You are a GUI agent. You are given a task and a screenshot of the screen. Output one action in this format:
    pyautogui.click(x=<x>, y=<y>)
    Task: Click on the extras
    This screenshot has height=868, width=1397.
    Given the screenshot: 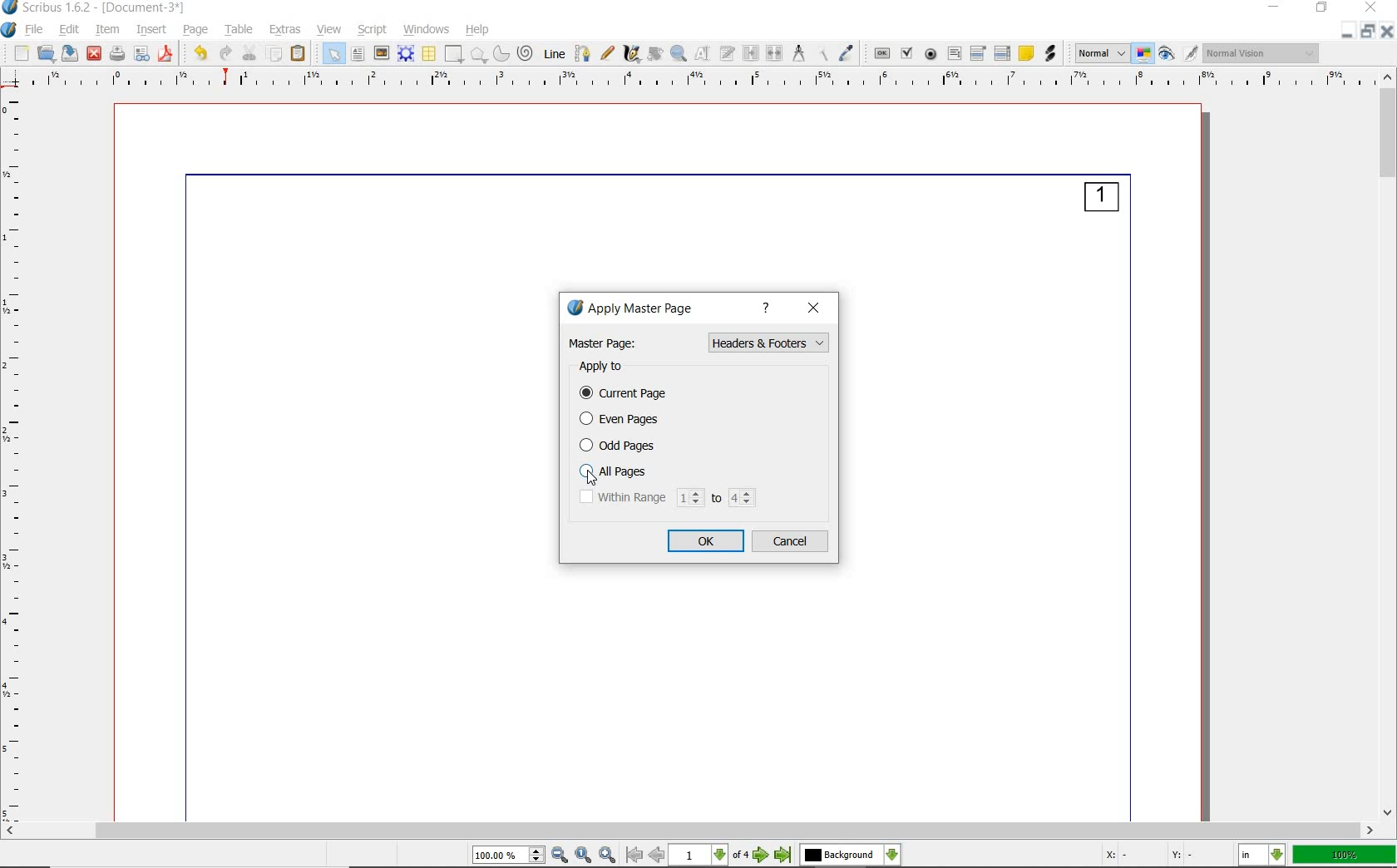 What is the action you would take?
    pyautogui.click(x=287, y=30)
    